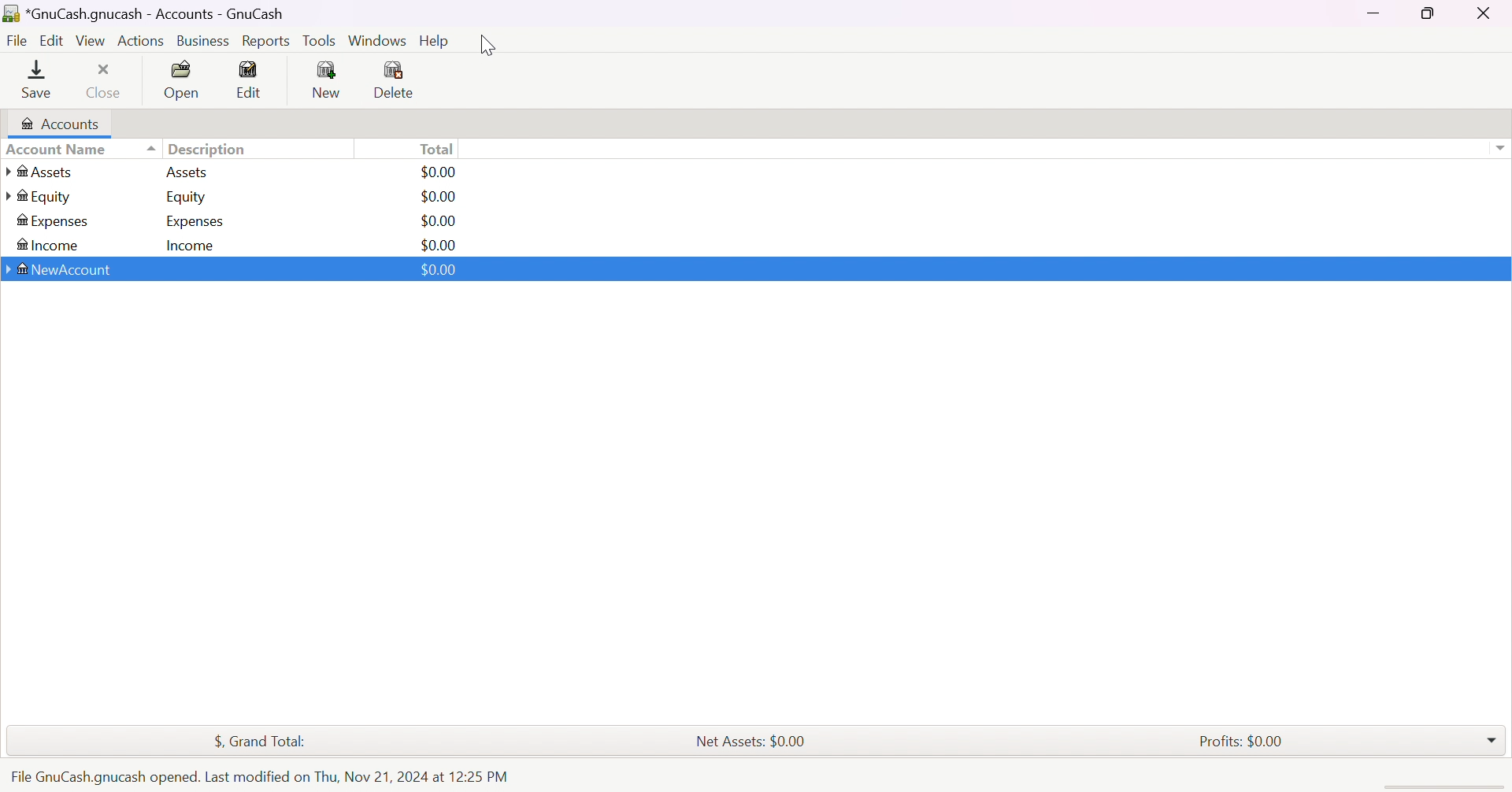 This screenshot has width=1512, height=792. I want to click on $0.00, so click(439, 270).